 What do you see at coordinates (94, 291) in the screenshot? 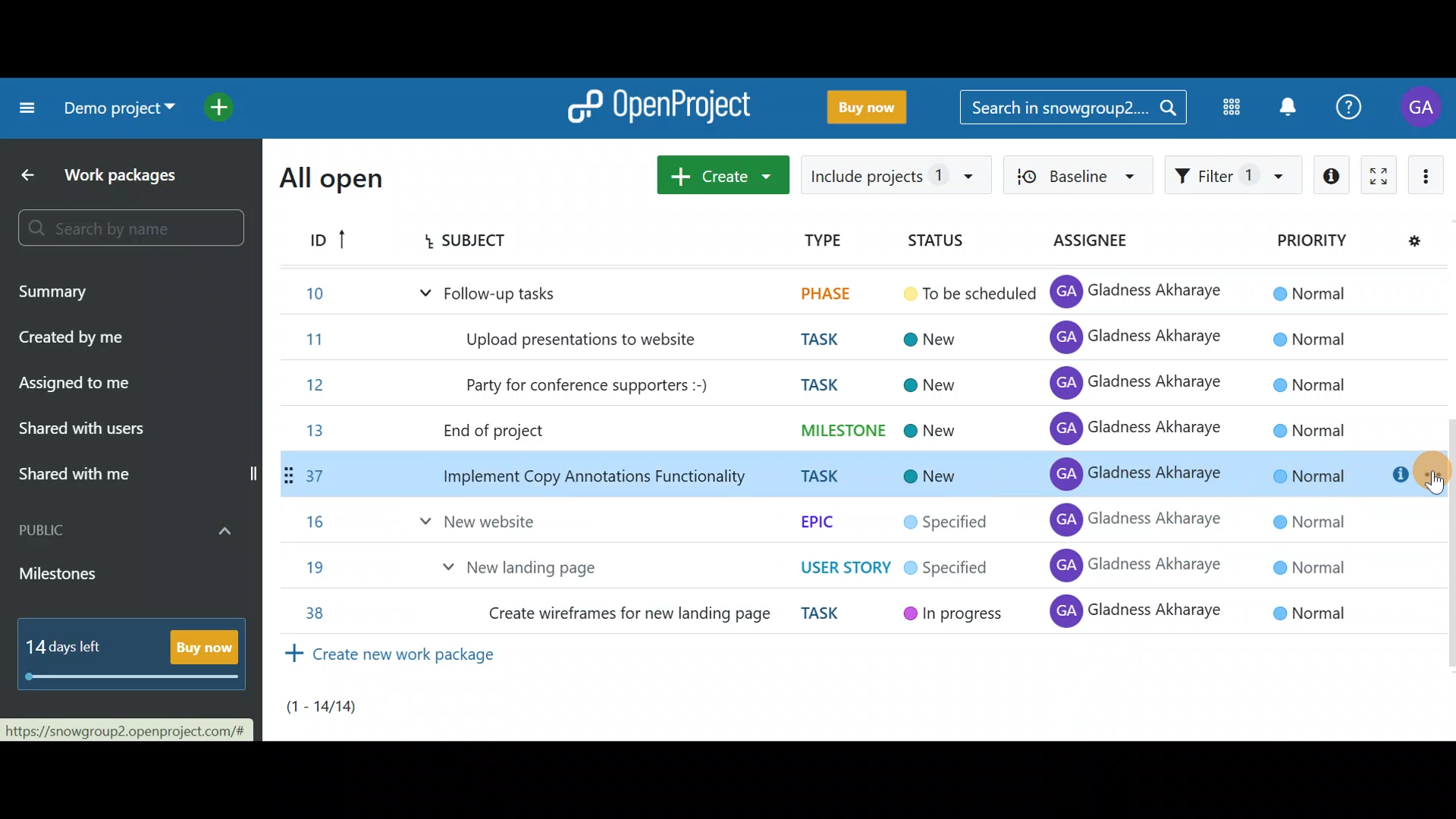
I see `Summary` at bounding box center [94, 291].